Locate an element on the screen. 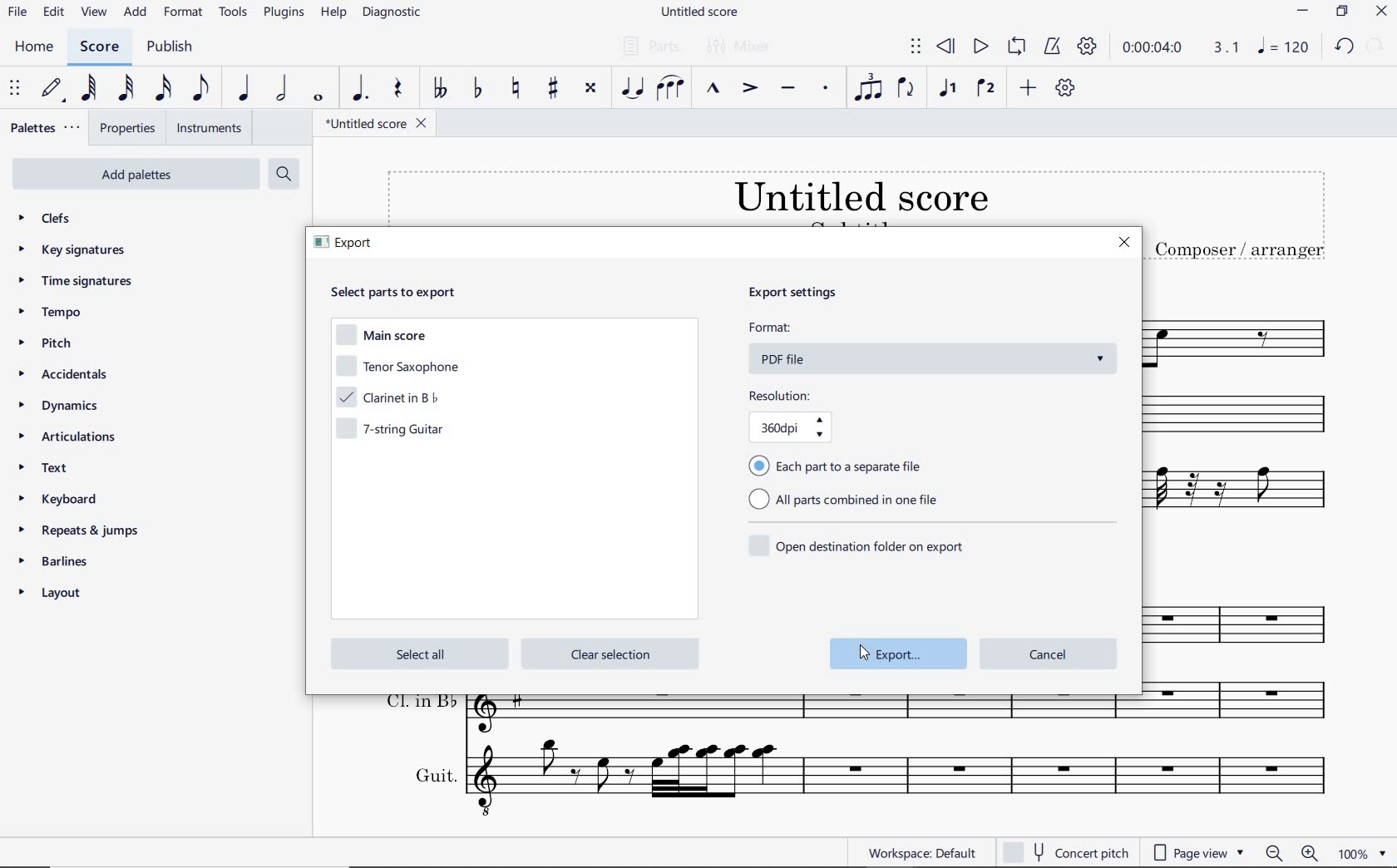 The height and width of the screenshot is (868, 1397). export is located at coordinates (348, 245).